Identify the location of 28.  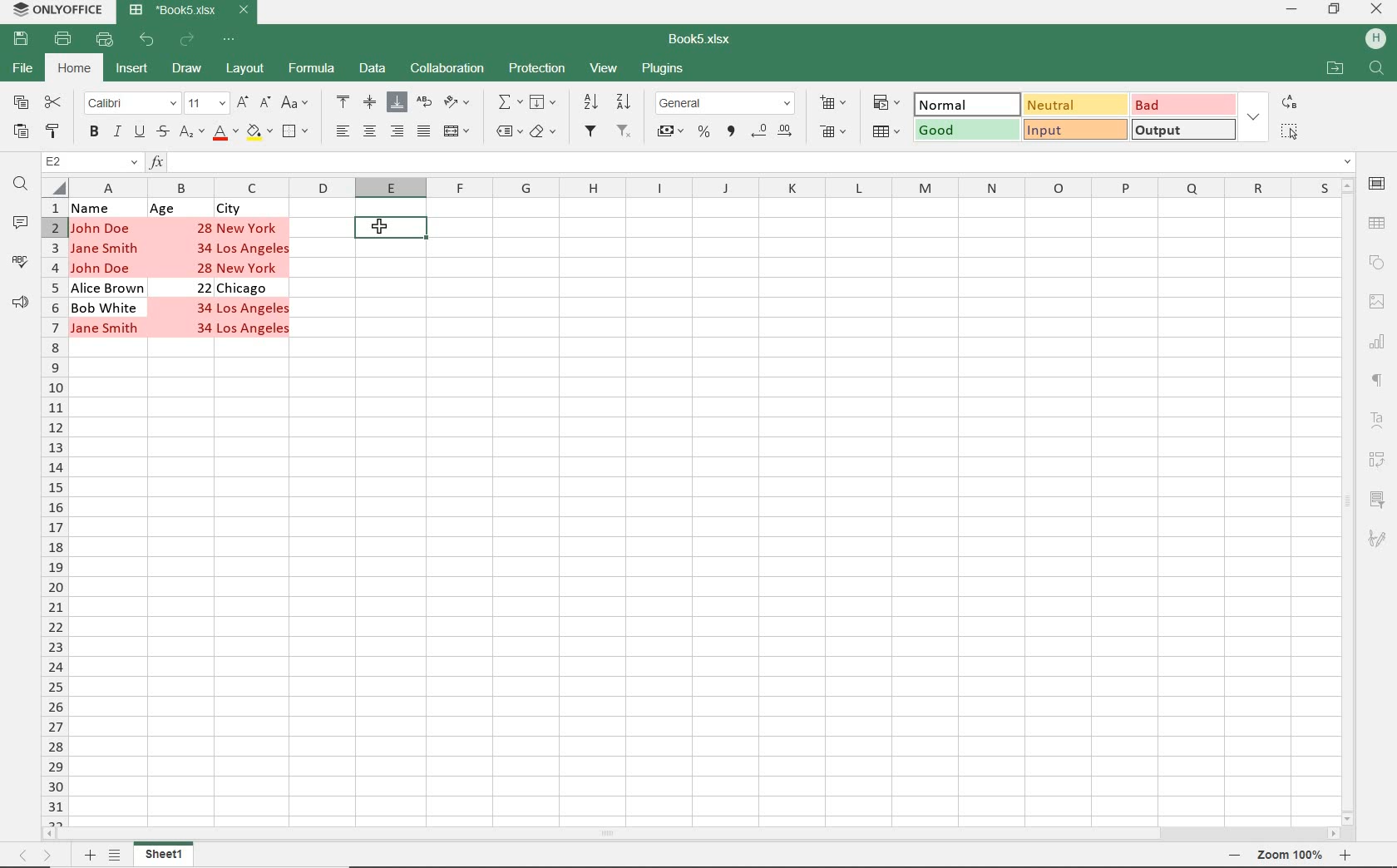
(207, 268).